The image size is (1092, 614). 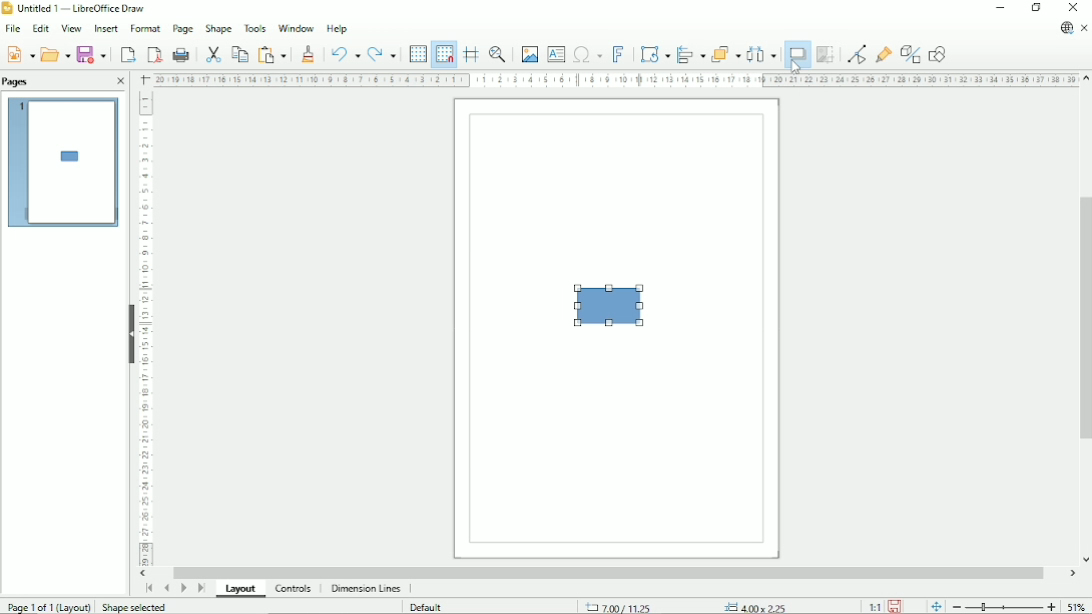 I want to click on Shape, so click(x=610, y=306).